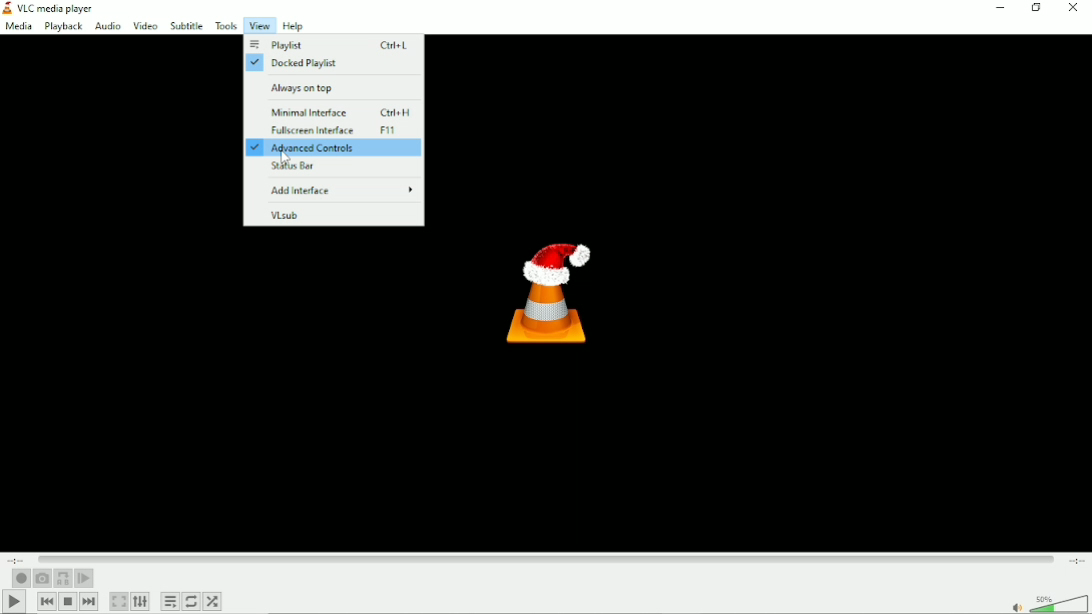 The image size is (1092, 614). I want to click on Toggle video in fullscreen, so click(120, 602).